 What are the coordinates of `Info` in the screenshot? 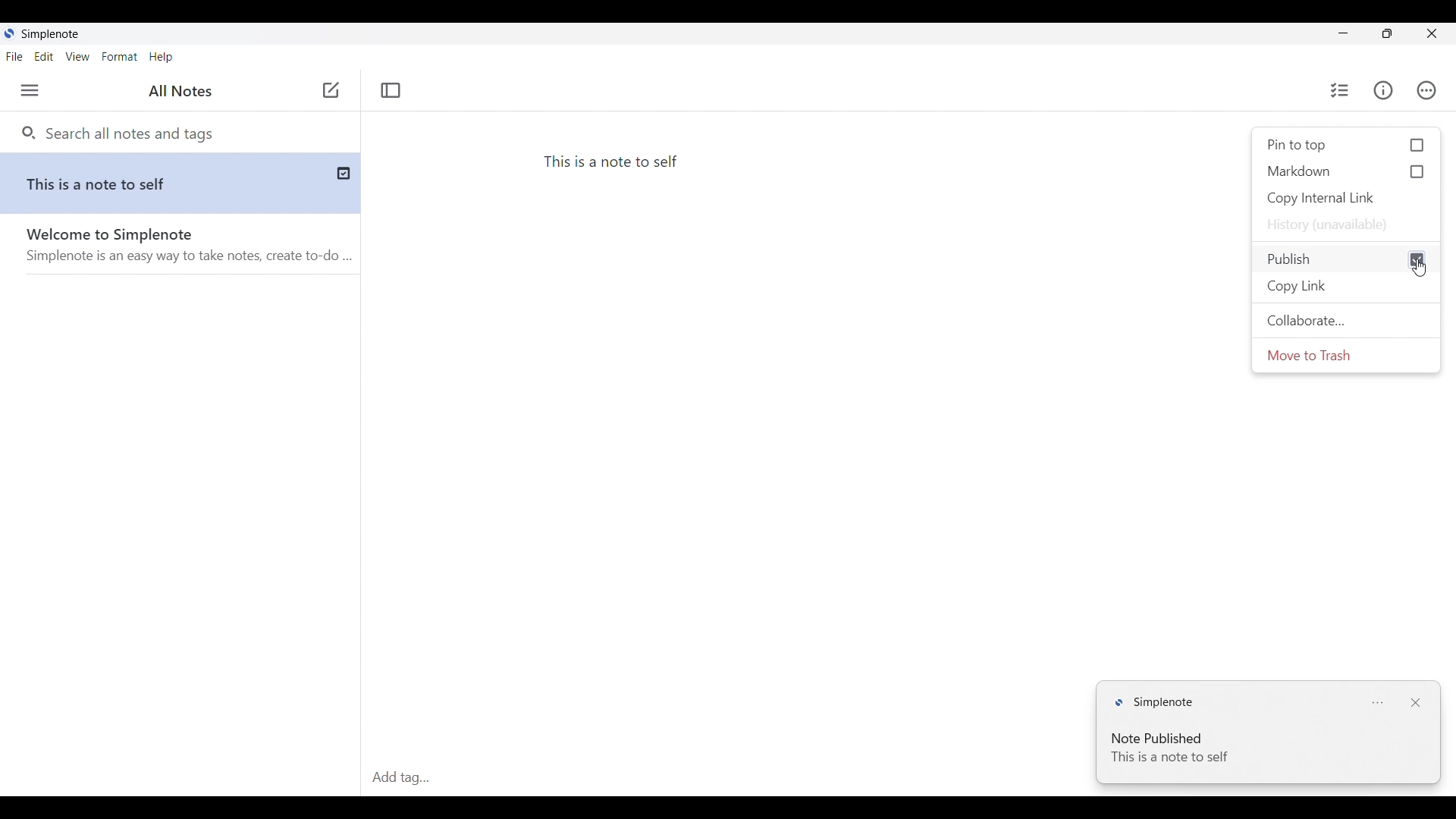 It's located at (1383, 90).